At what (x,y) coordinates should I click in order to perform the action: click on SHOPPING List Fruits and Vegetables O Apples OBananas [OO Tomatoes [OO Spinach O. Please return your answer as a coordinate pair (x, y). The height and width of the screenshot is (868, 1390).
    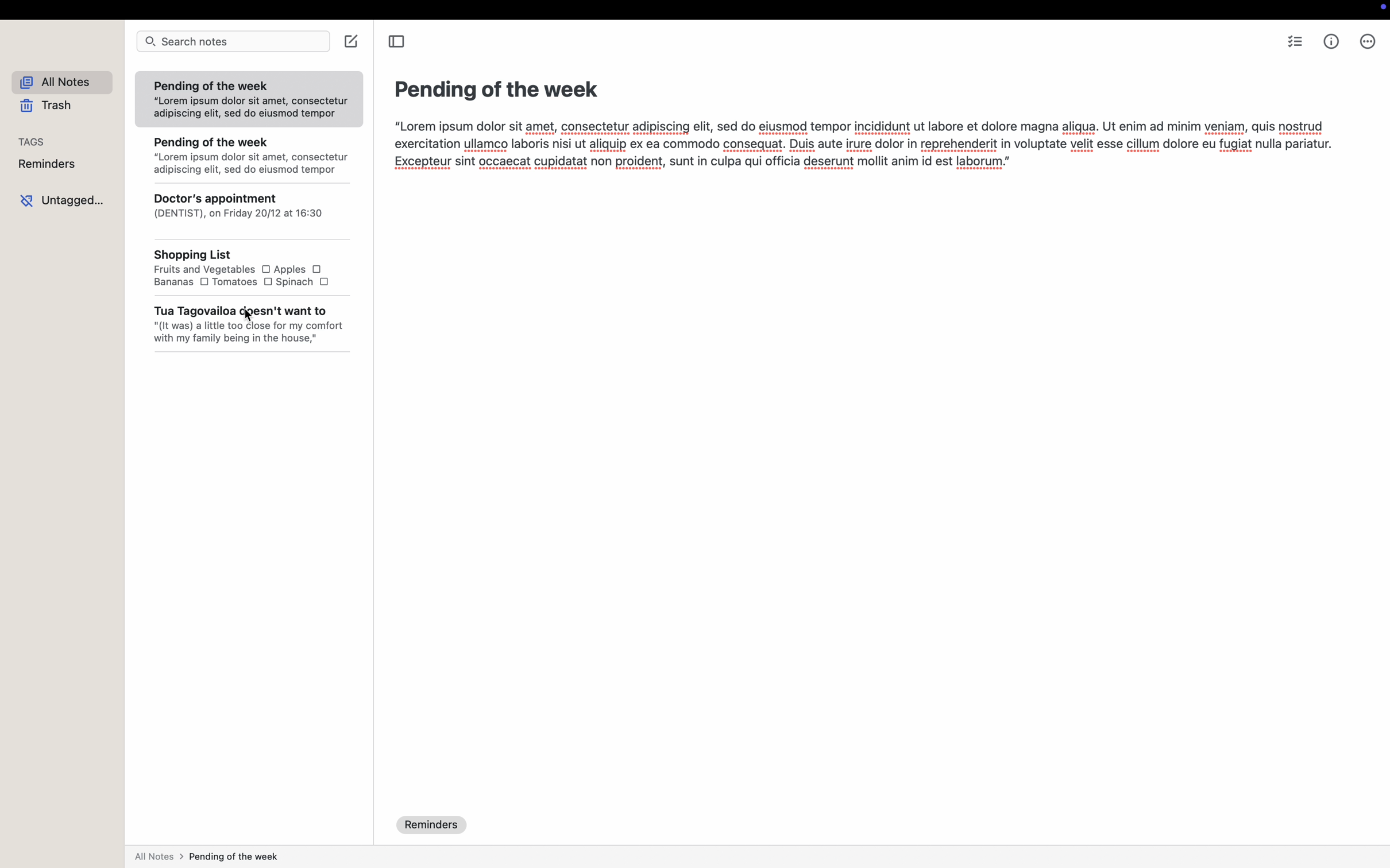
    Looking at the image, I should click on (249, 269).